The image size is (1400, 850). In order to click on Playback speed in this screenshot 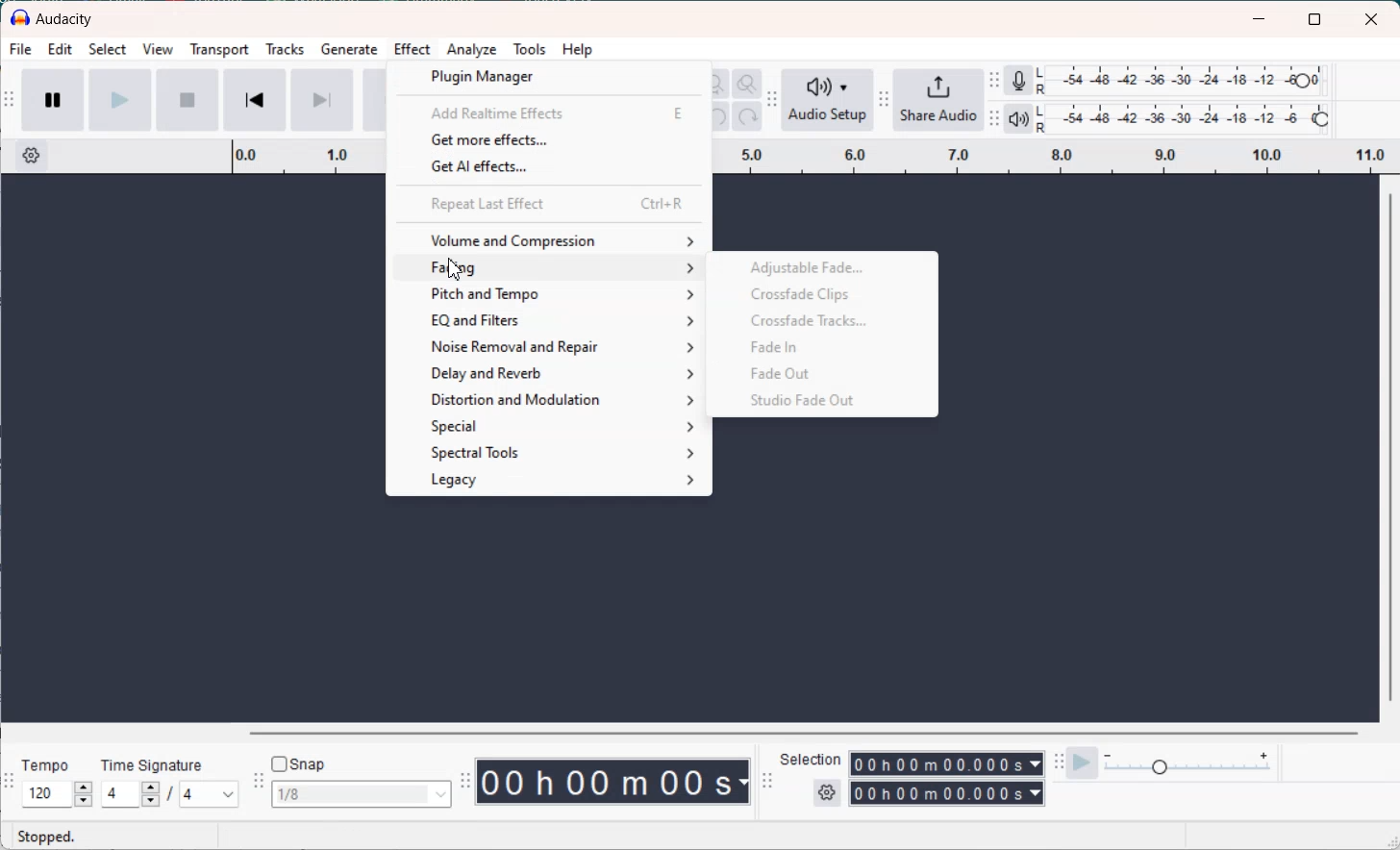, I will do `click(1191, 762)`.